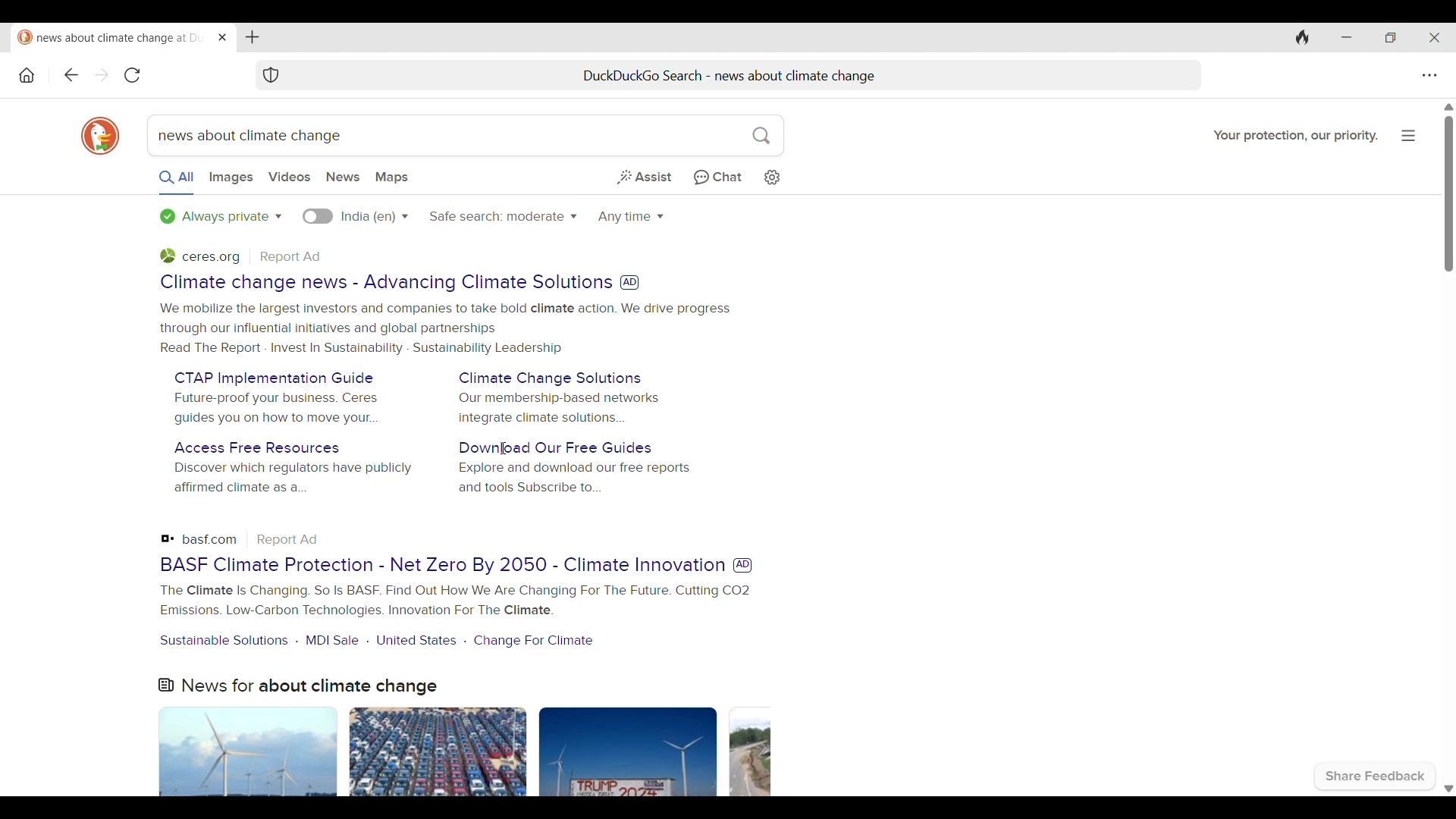 This screenshot has height=819, width=1456. Describe the element at coordinates (743, 74) in the screenshot. I see `Duckduckgo search - news about climate change` at that location.